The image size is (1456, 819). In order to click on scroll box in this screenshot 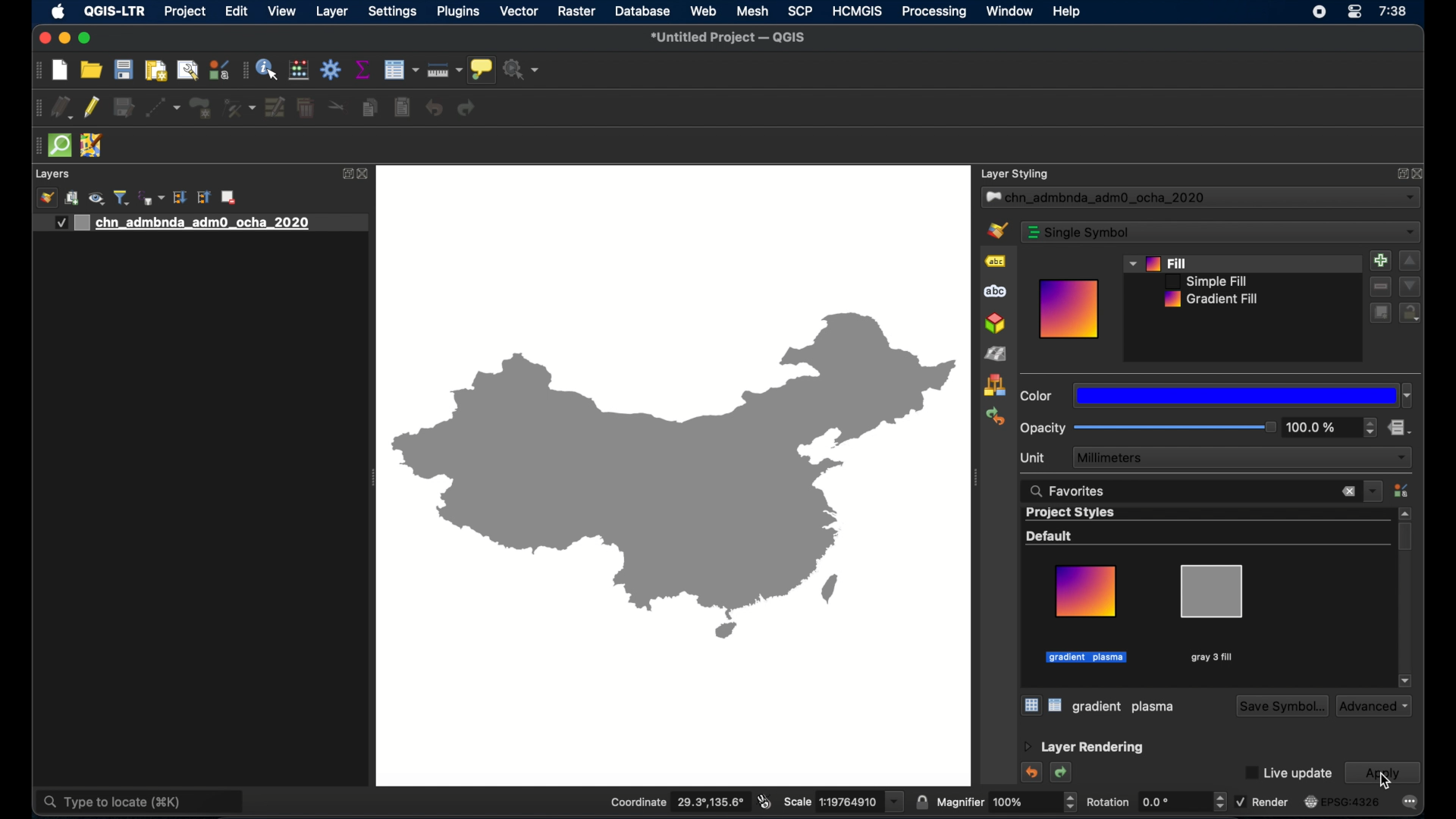, I will do `click(1405, 537)`.